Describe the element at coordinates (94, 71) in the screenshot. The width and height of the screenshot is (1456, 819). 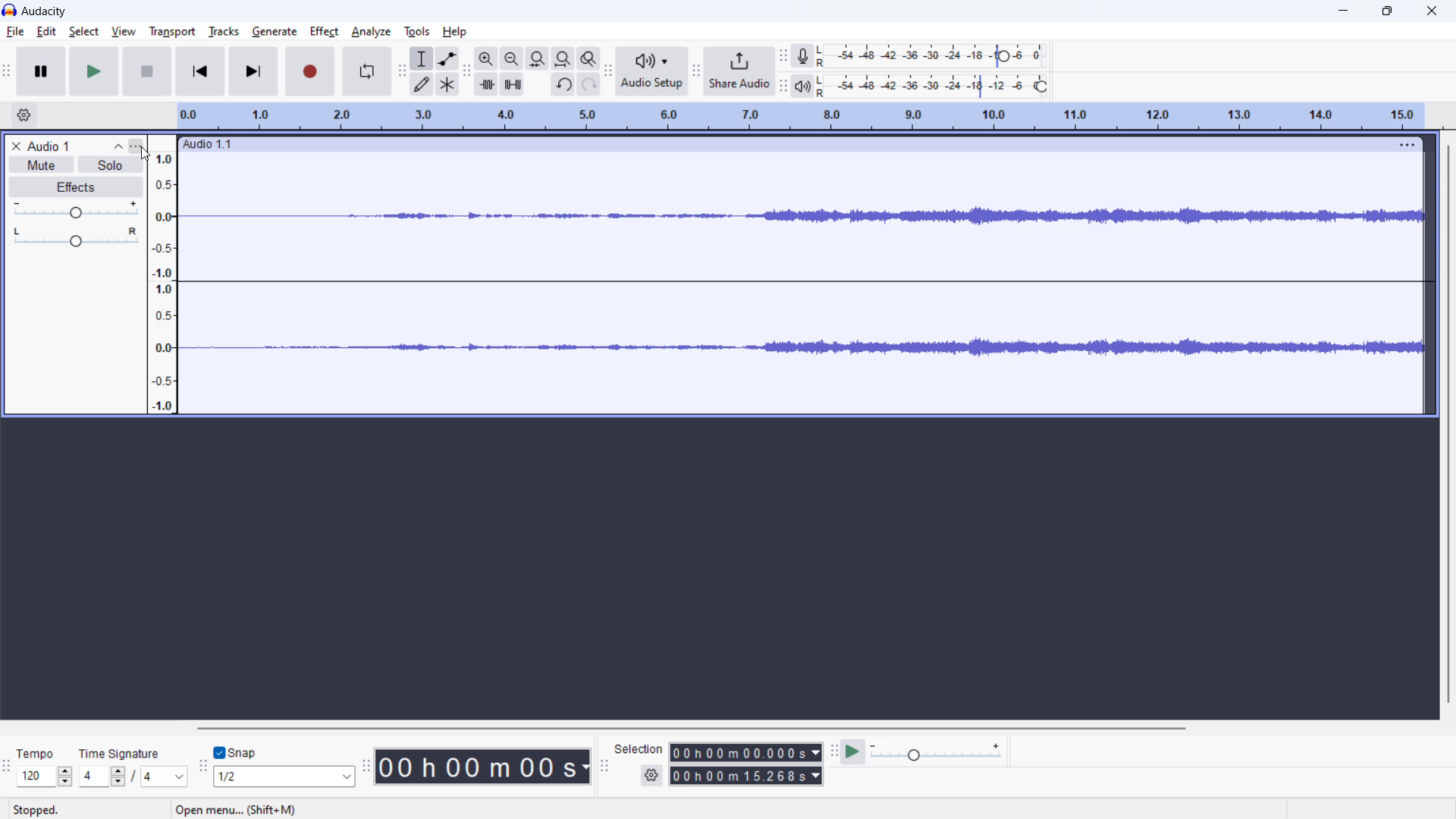
I see `play` at that location.